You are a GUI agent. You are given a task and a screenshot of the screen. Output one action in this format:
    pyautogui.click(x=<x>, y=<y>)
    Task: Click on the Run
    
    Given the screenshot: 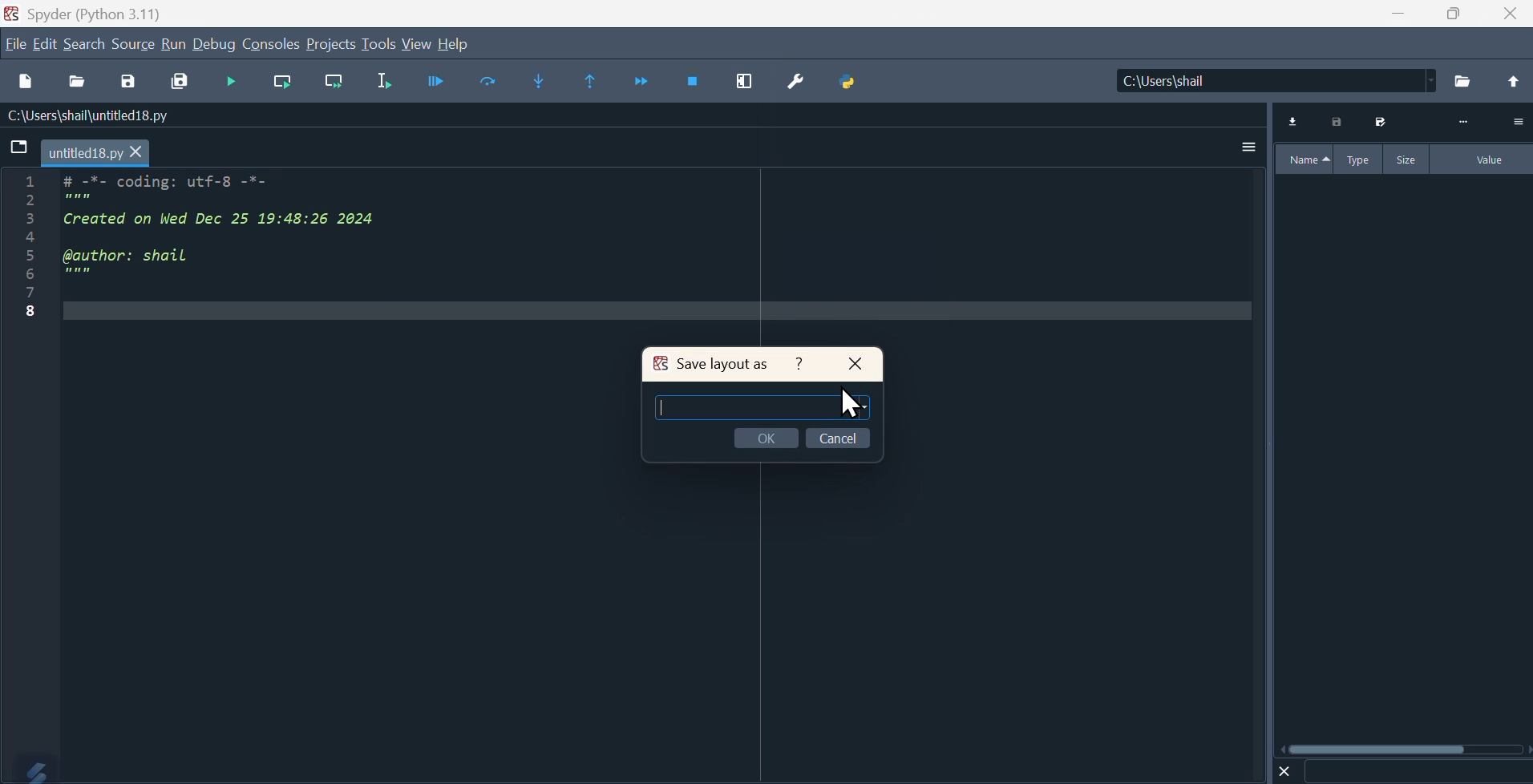 What is the action you would take?
    pyautogui.click(x=173, y=43)
    